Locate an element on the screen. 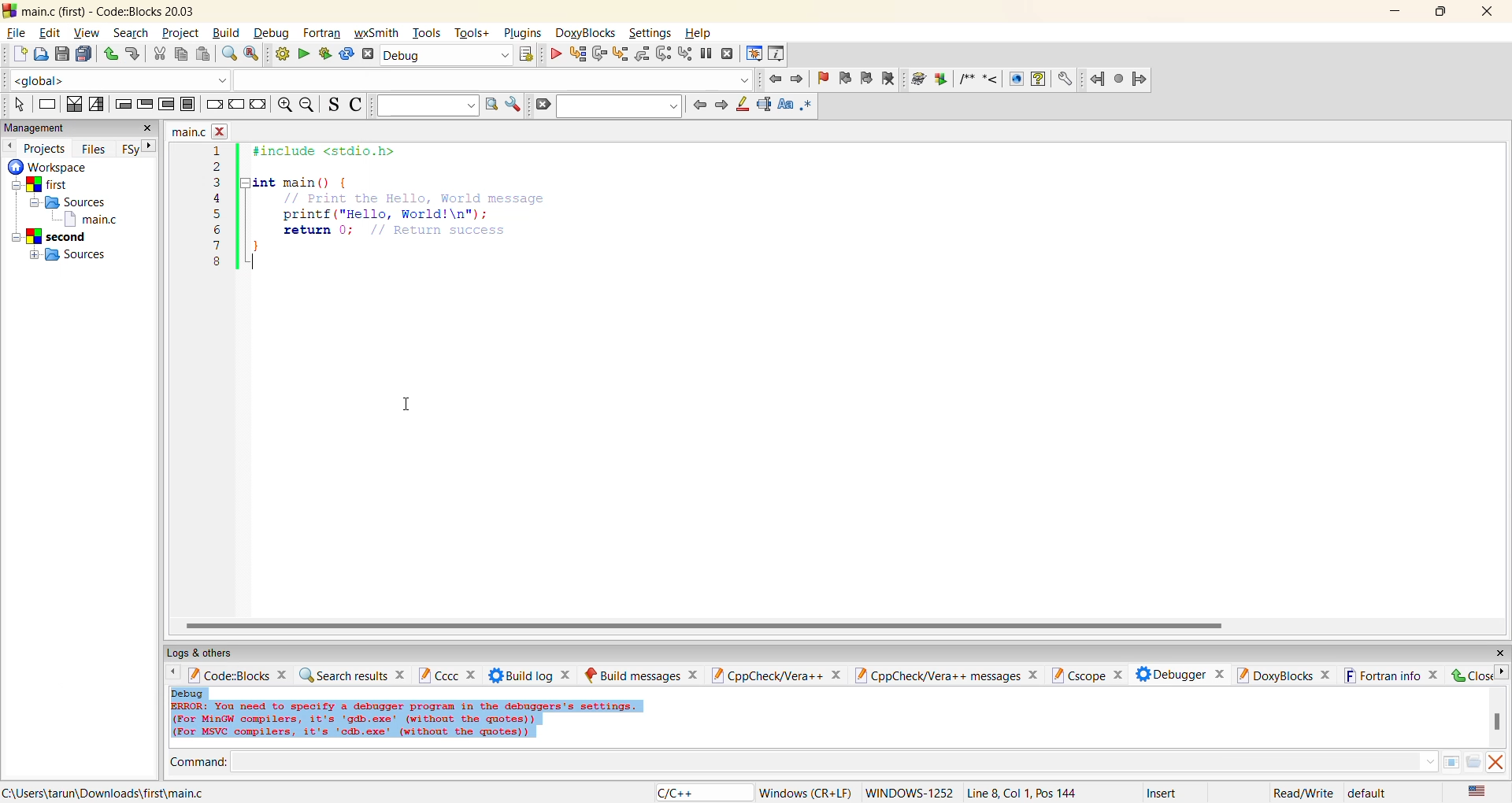  fortran info is located at coordinates (1387, 675).